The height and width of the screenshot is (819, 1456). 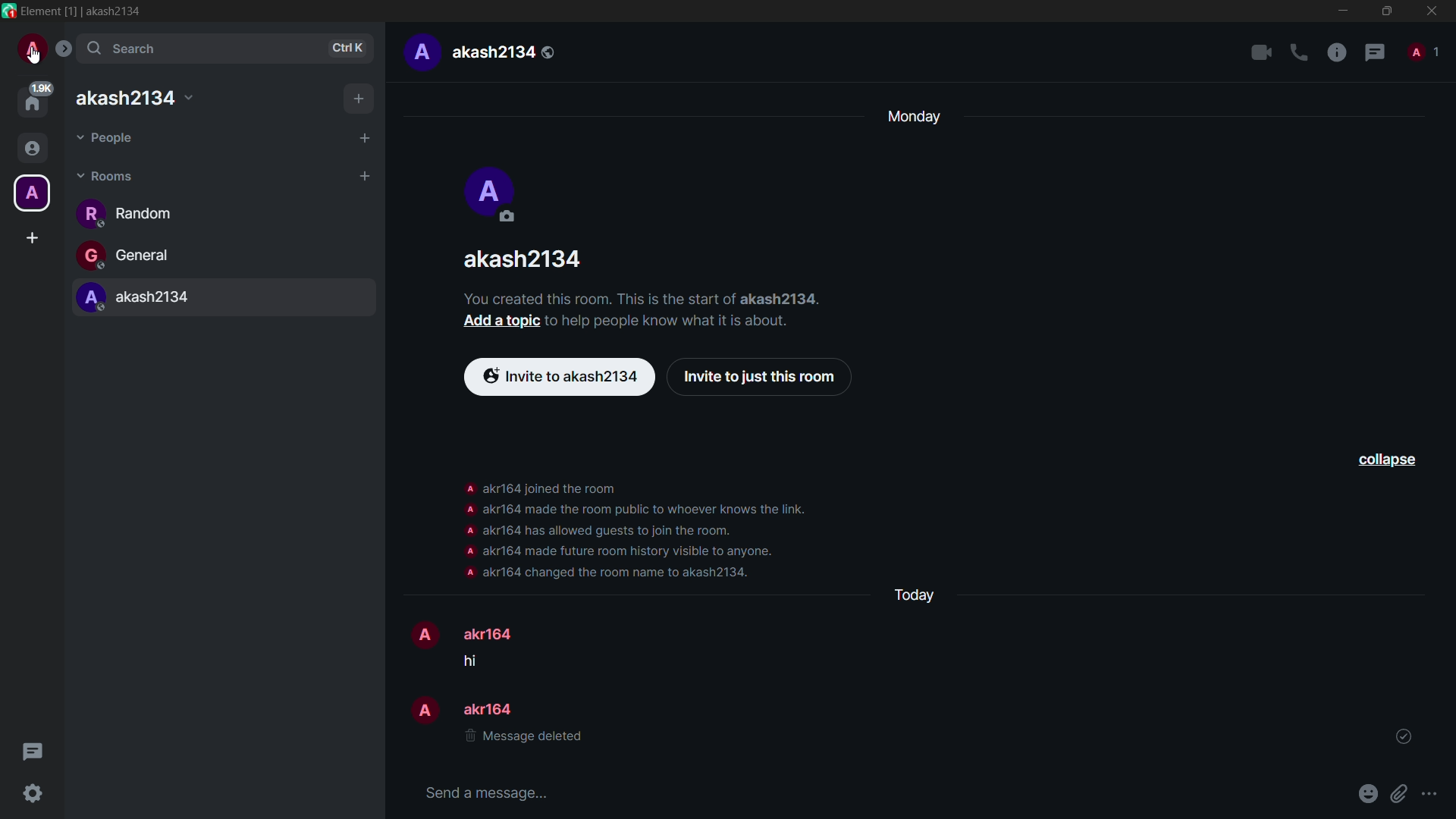 What do you see at coordinates (359, 99) in the screenshot?
I see `add` at bounding box center [359, 99].